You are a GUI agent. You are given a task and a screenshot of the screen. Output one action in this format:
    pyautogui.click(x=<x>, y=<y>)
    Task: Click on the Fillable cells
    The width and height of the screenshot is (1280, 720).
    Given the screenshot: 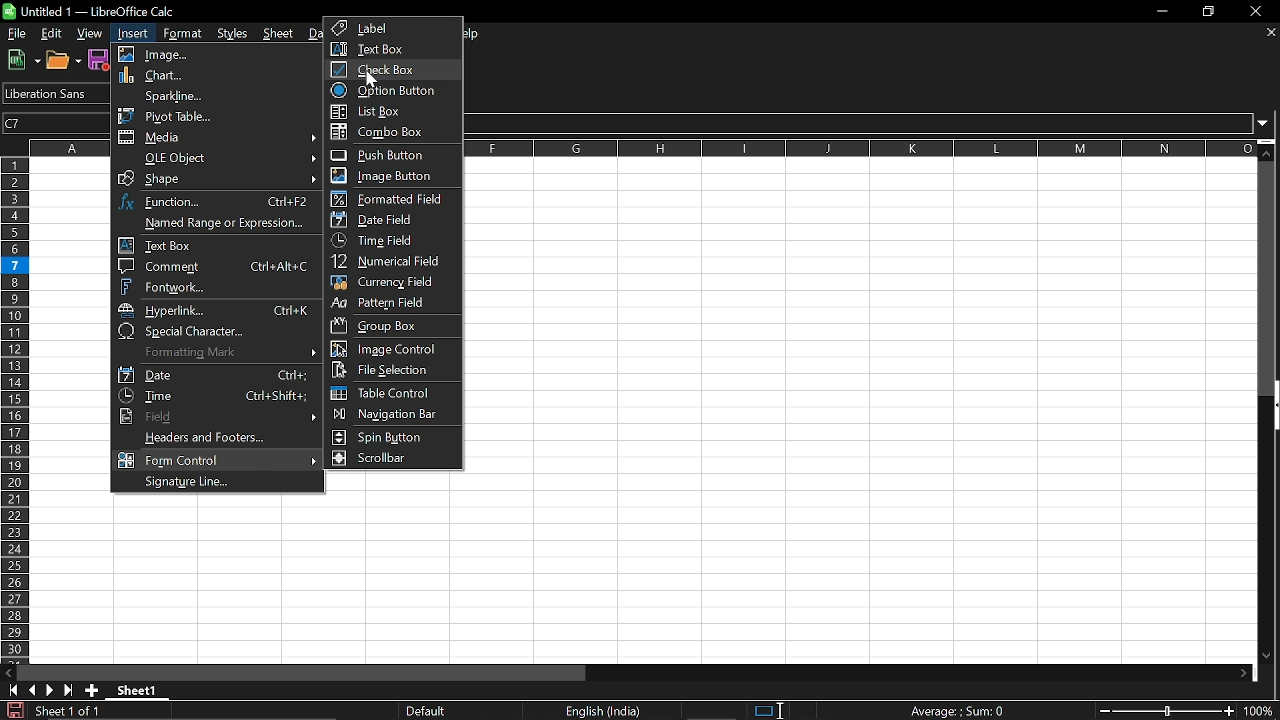 What is the action you would take?
    pyautogui.click(x=860, y=327)
    